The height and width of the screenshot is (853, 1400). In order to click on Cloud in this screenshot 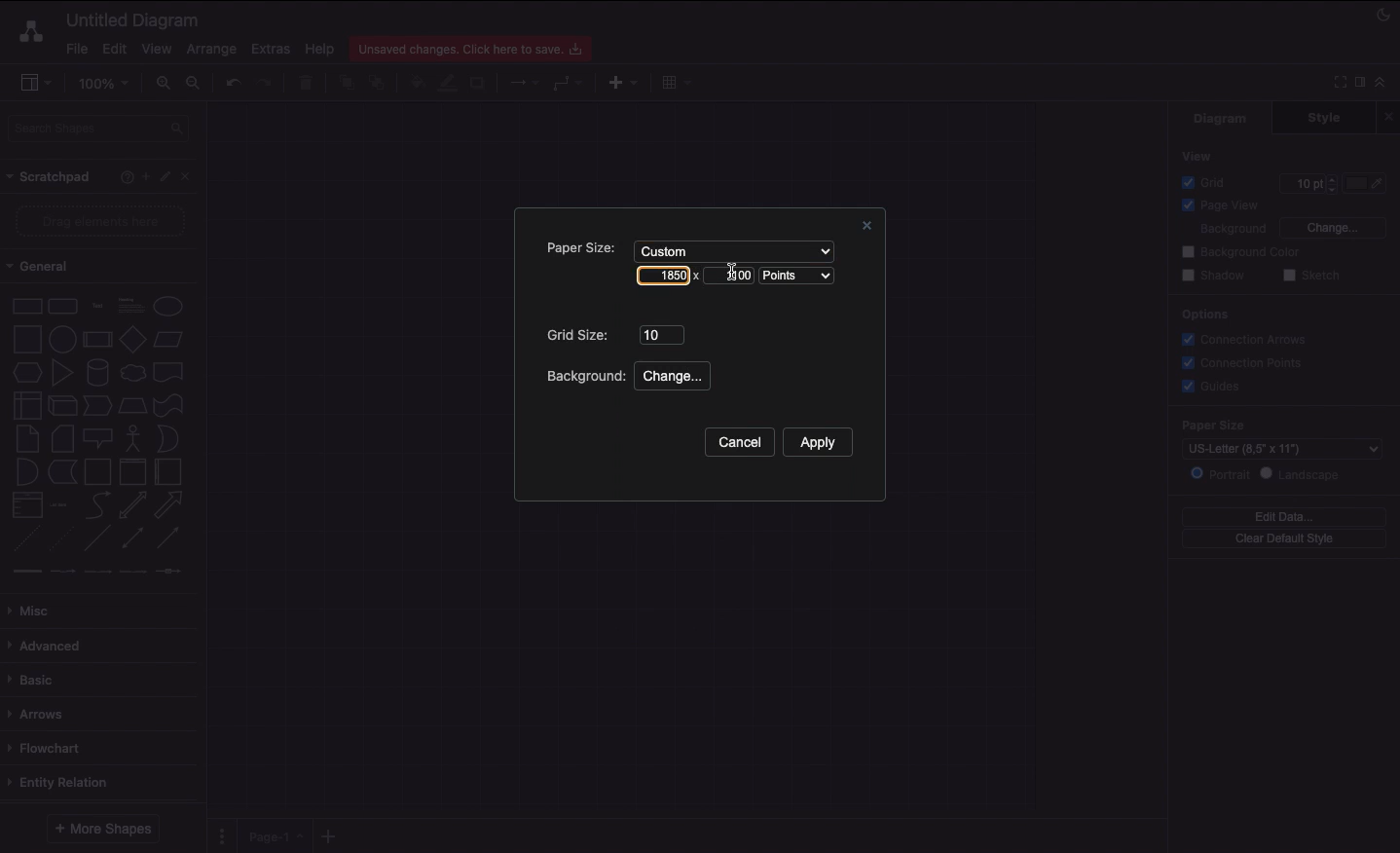, I will do `click(131, 373)`.